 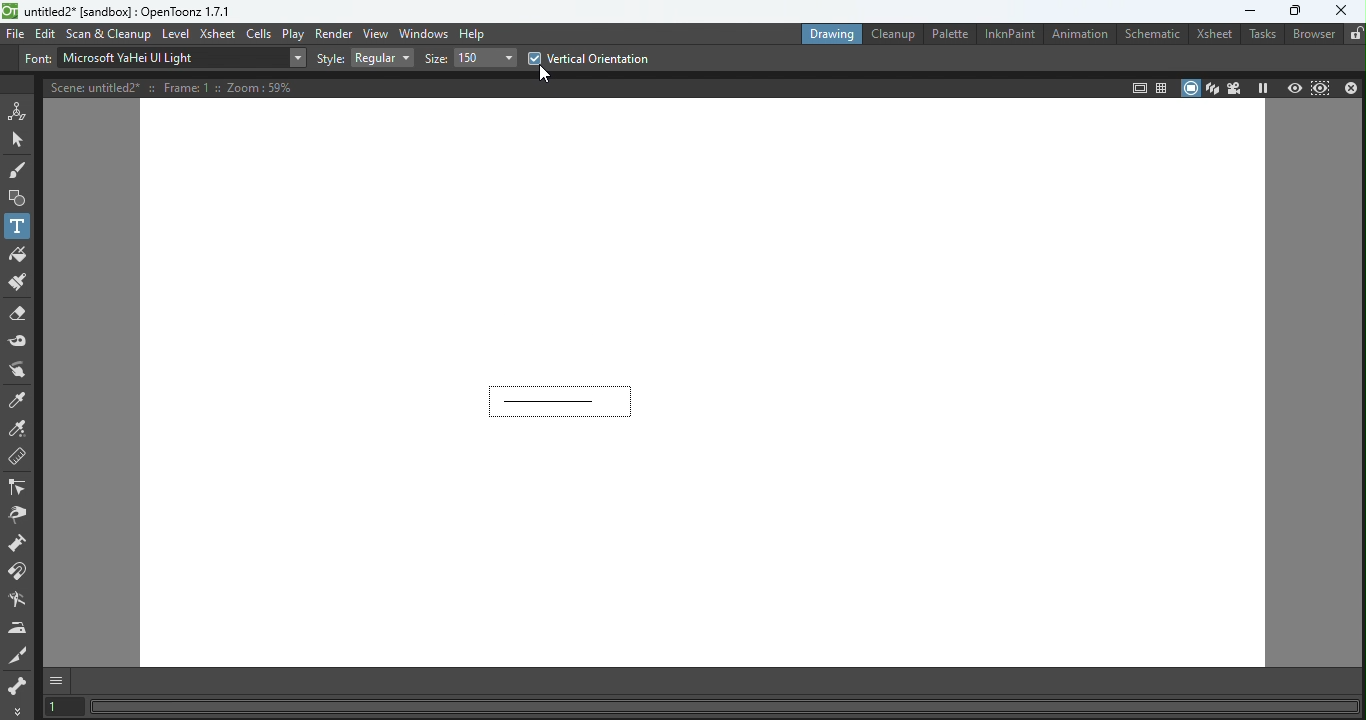 I want to click on Paint brush tool, so click(x=20, y=283).